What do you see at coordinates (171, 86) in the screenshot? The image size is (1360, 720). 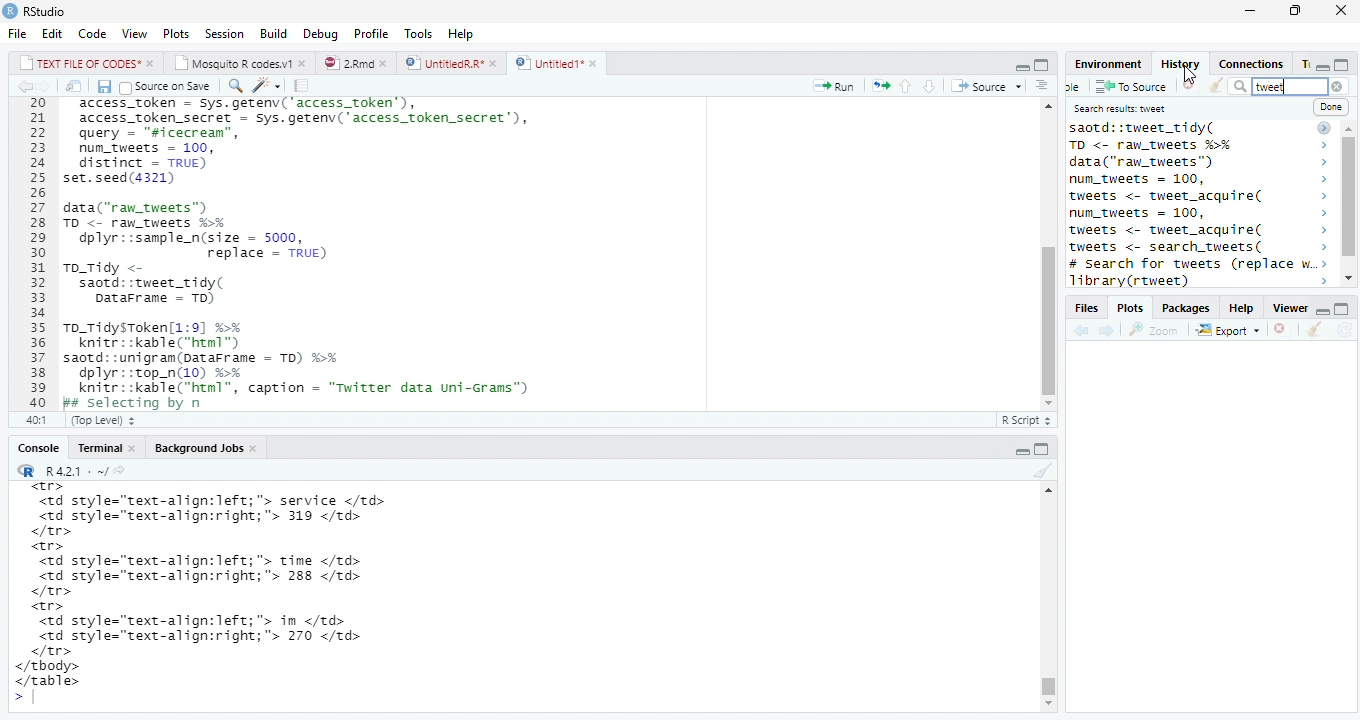 I see `Source on save` at bounding box center [171, 86].